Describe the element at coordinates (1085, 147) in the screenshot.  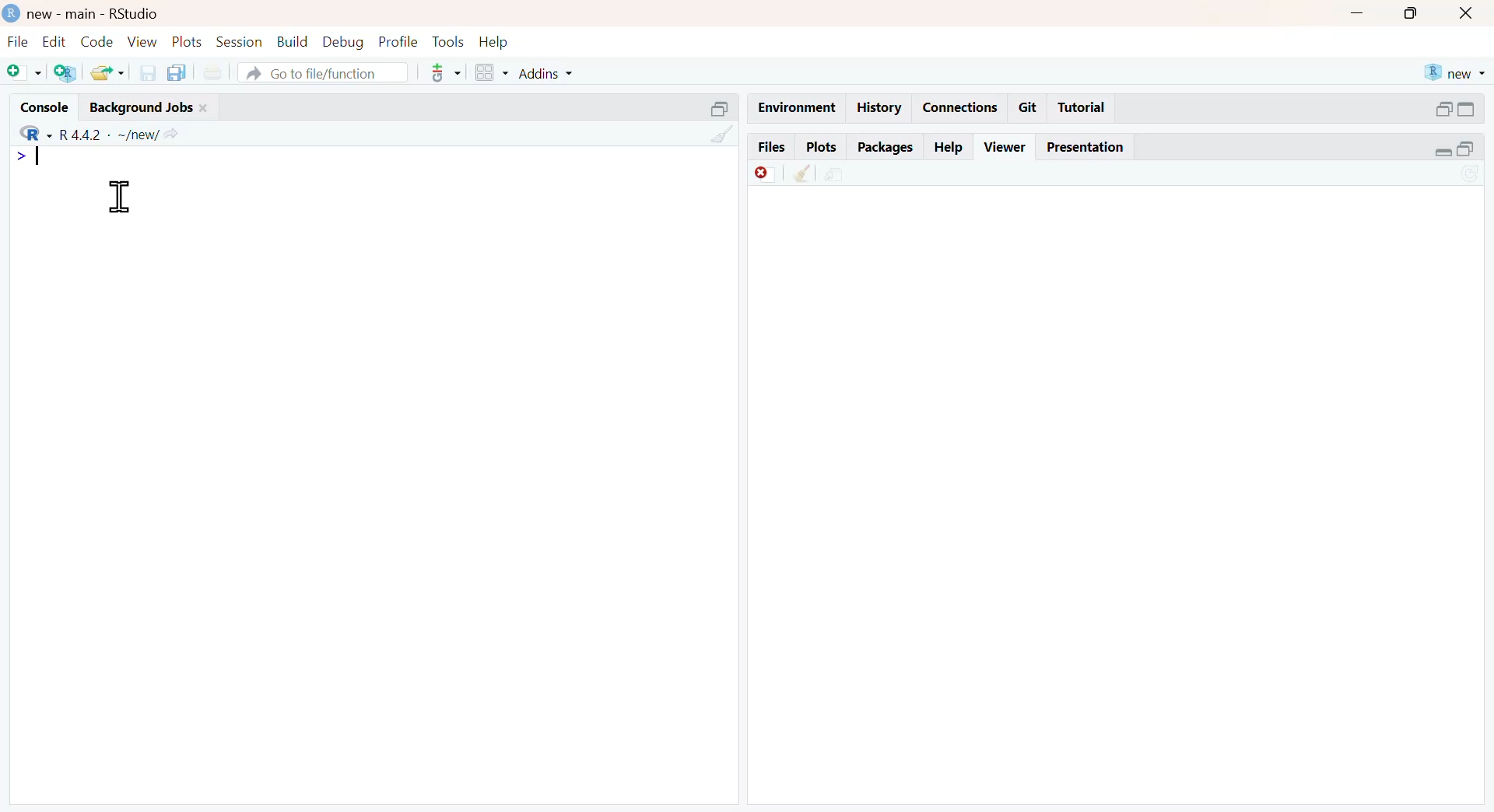
I see `Presentation ` at that location.